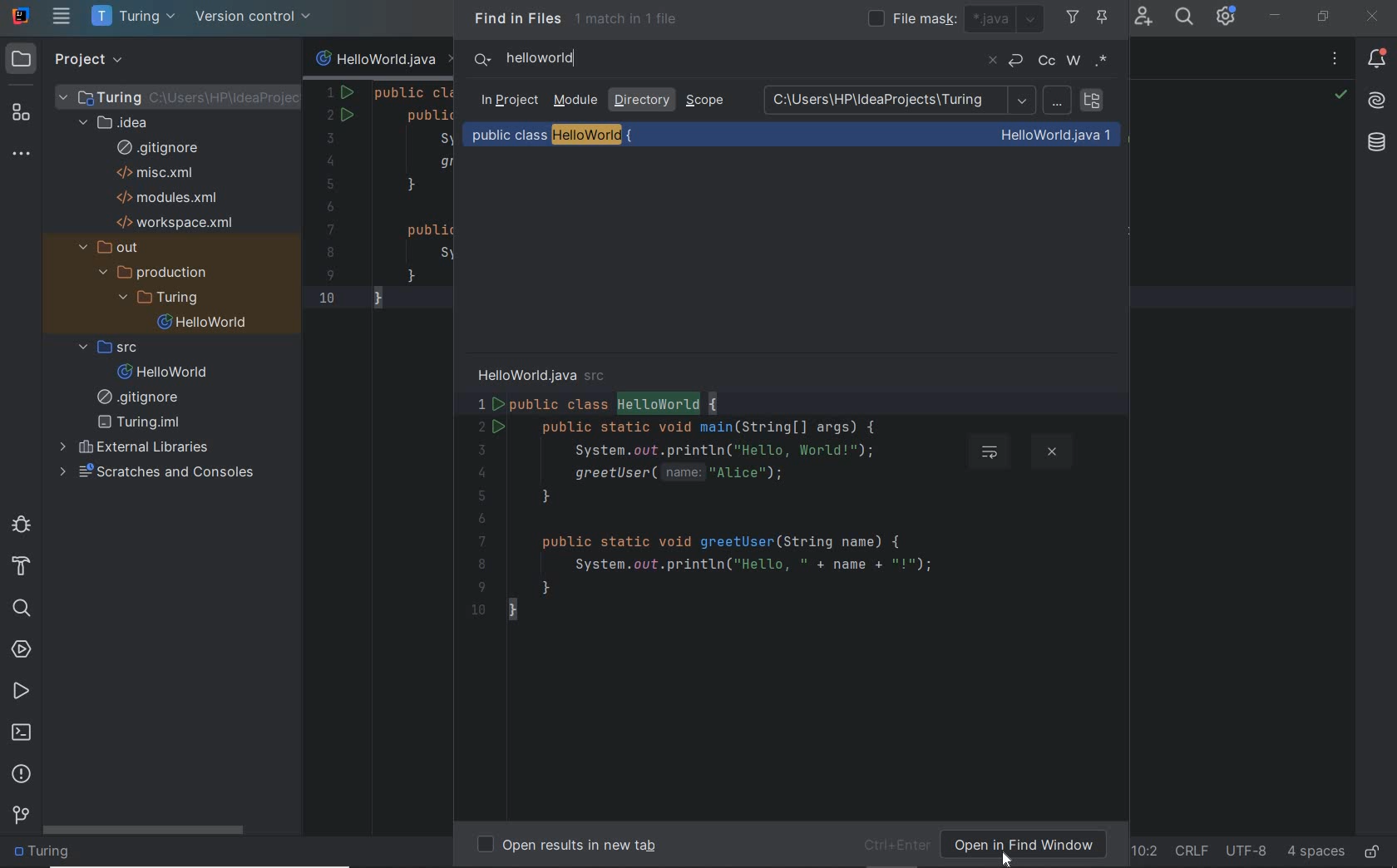  Describe the element at coordinates (119, 121) in the screenshot. I see `idea` at that location.